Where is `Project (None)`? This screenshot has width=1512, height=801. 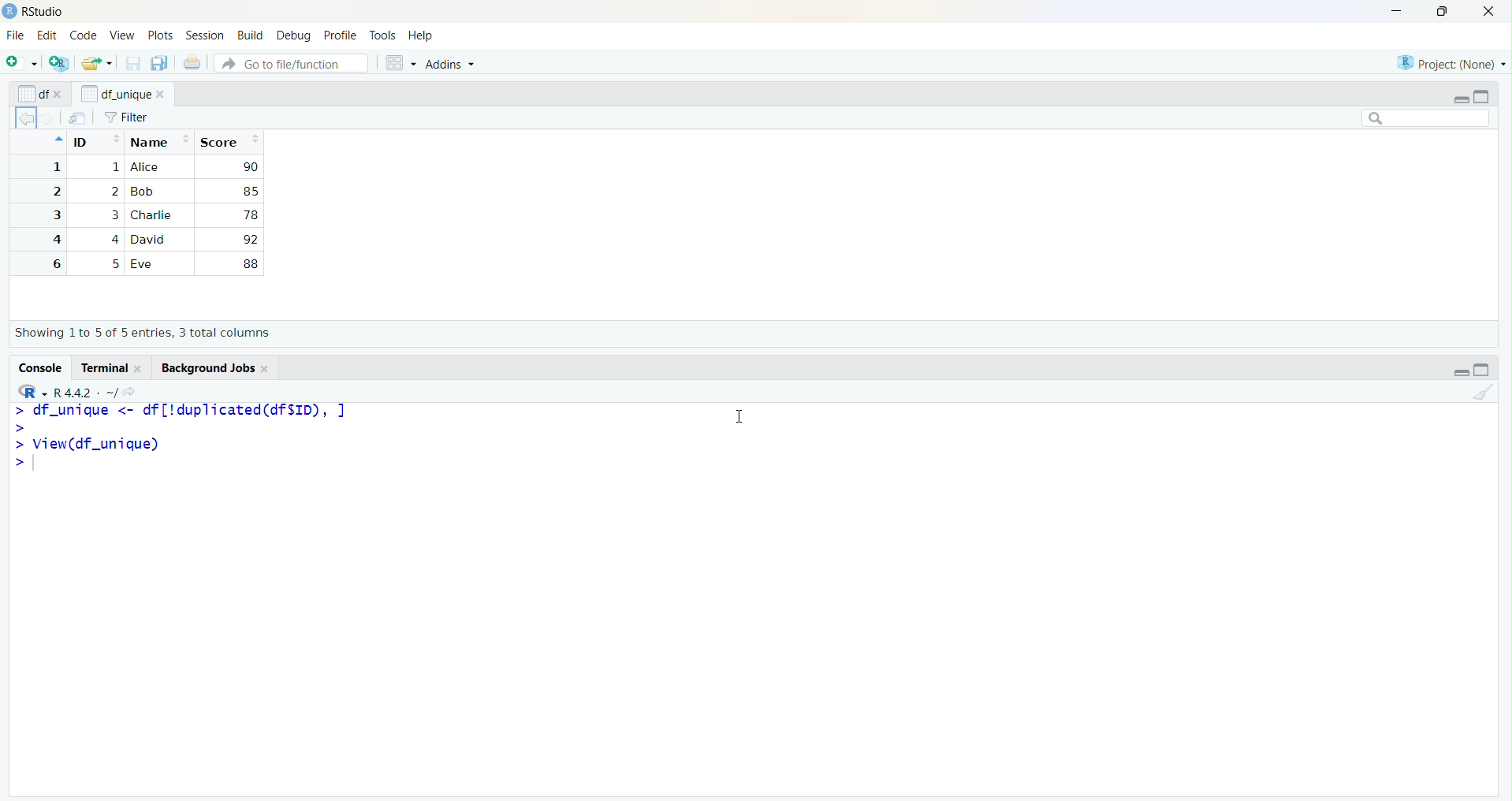
Project (None) is located at coordinates (1448, 64).